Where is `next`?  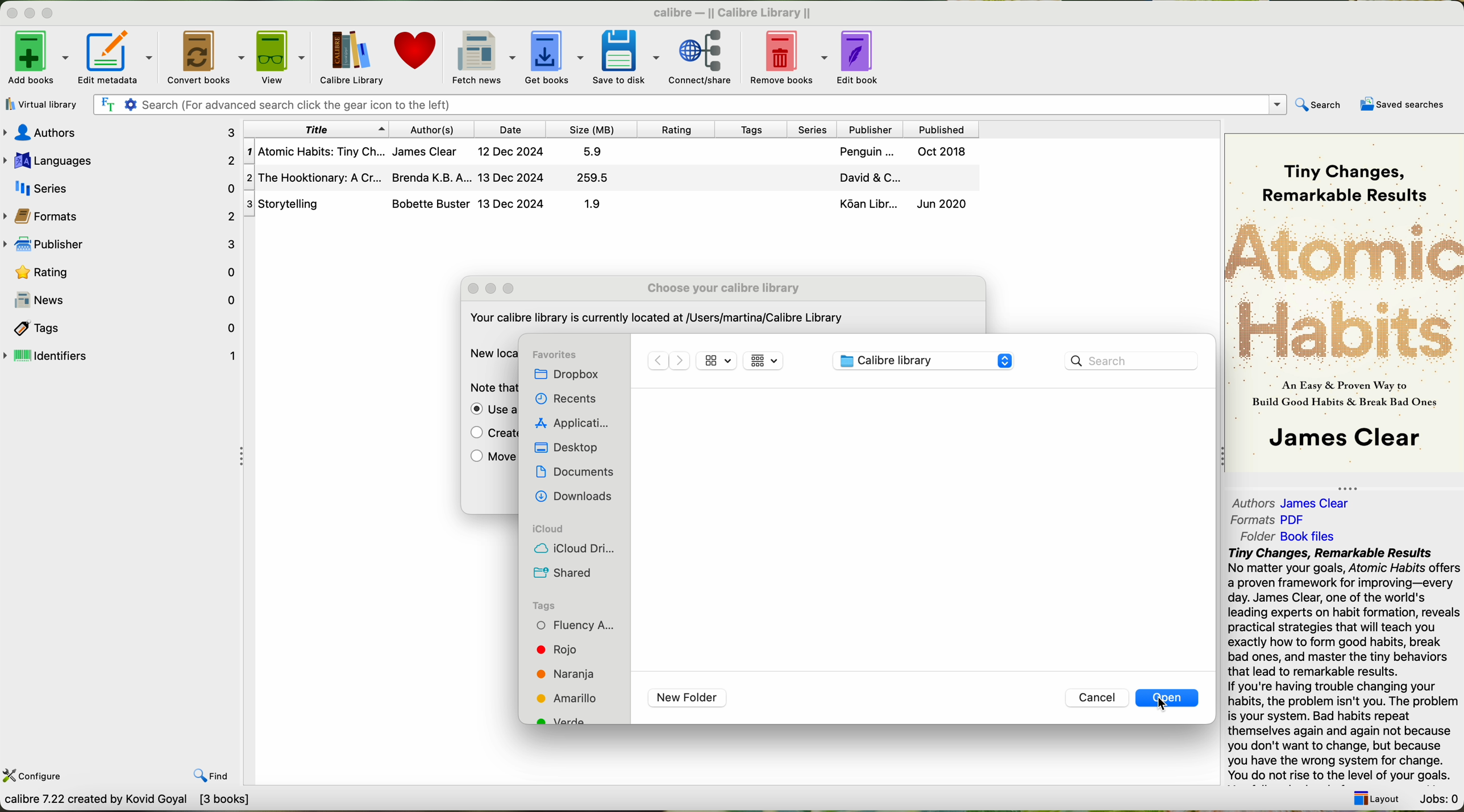 next is located at coordinates (681, 360).